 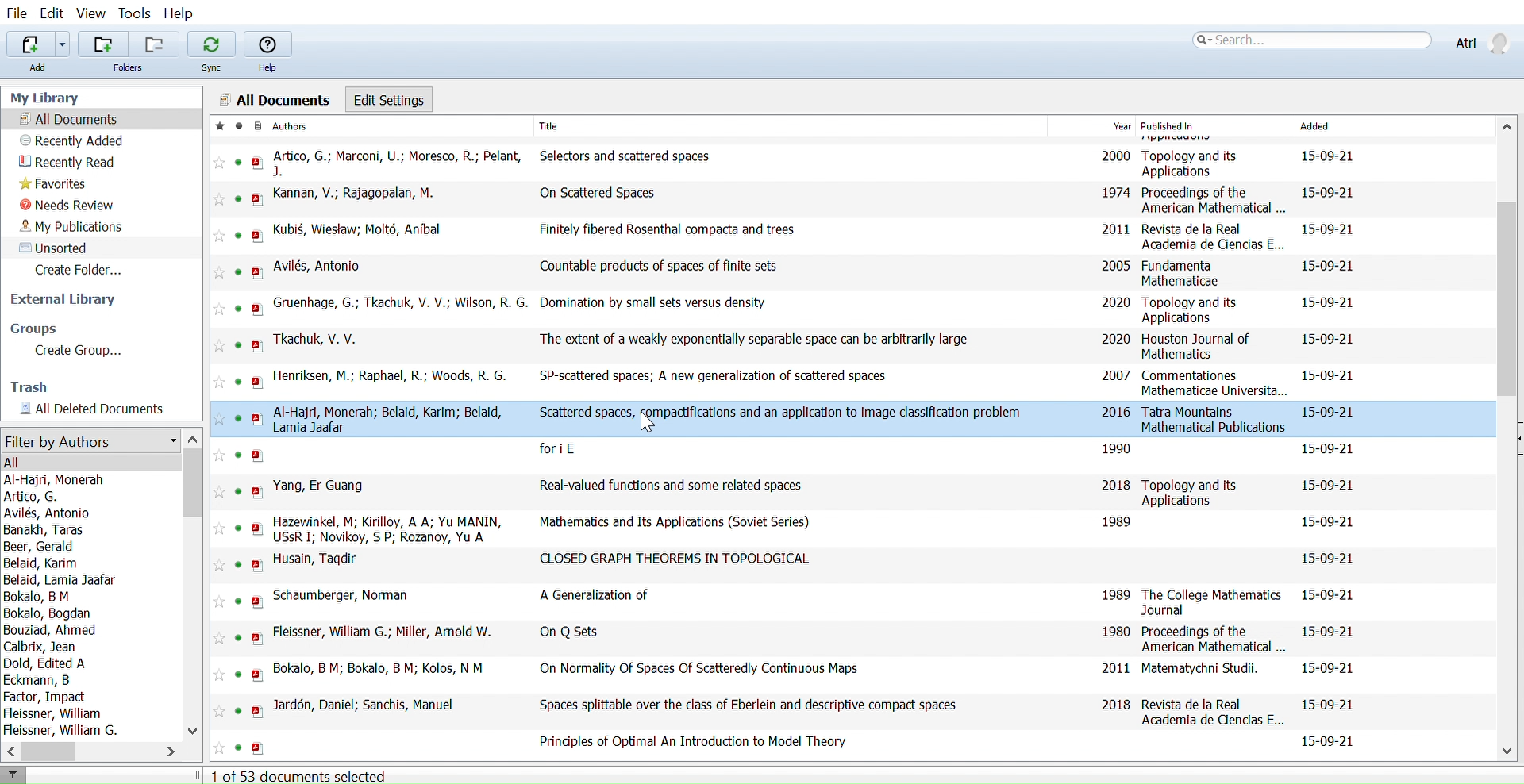 What do you see at coordinates (1116, 302) in the screenshot?
I see `2020` at bounding box center [1116, 302].